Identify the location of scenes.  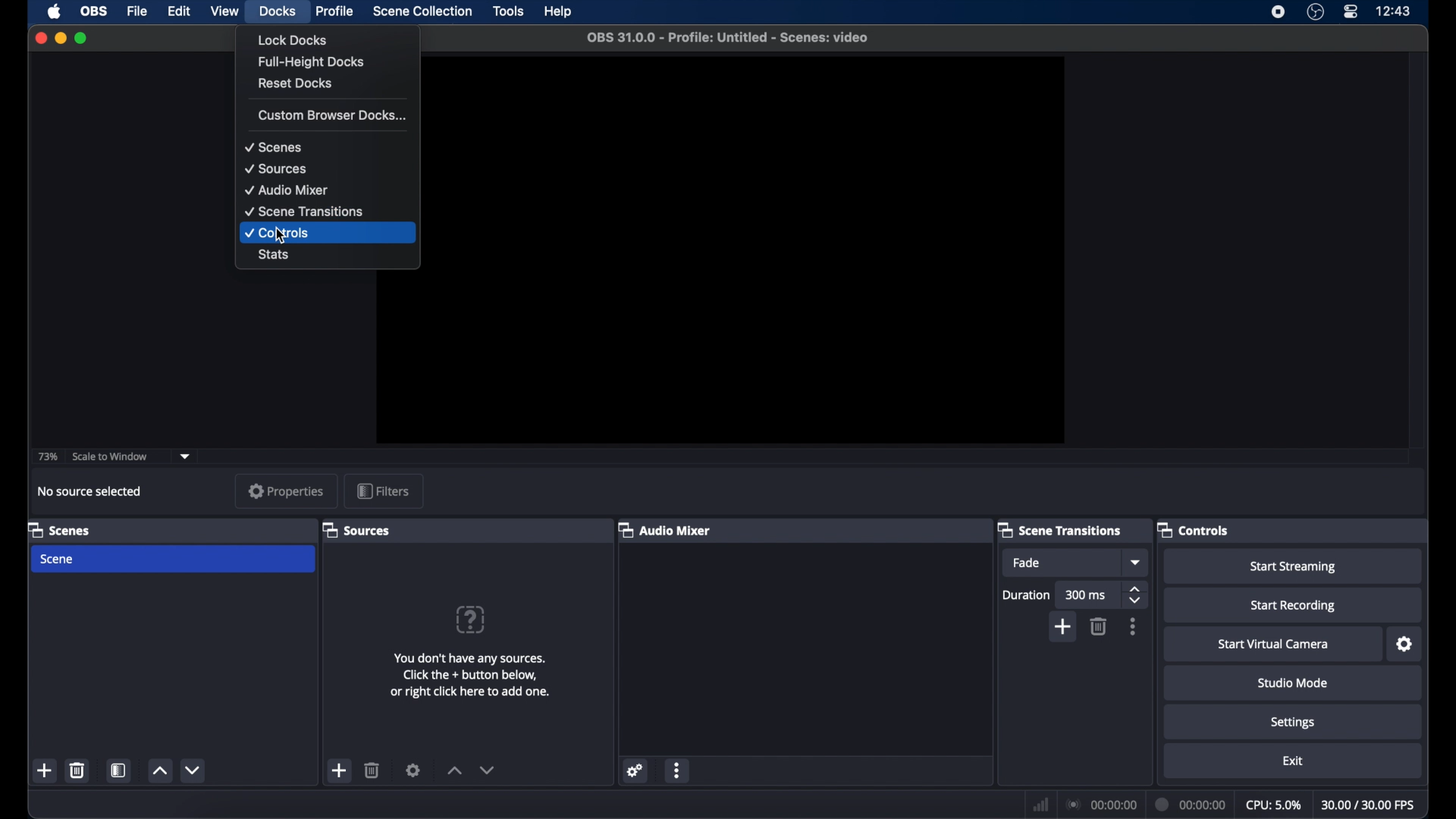
(60, 529).